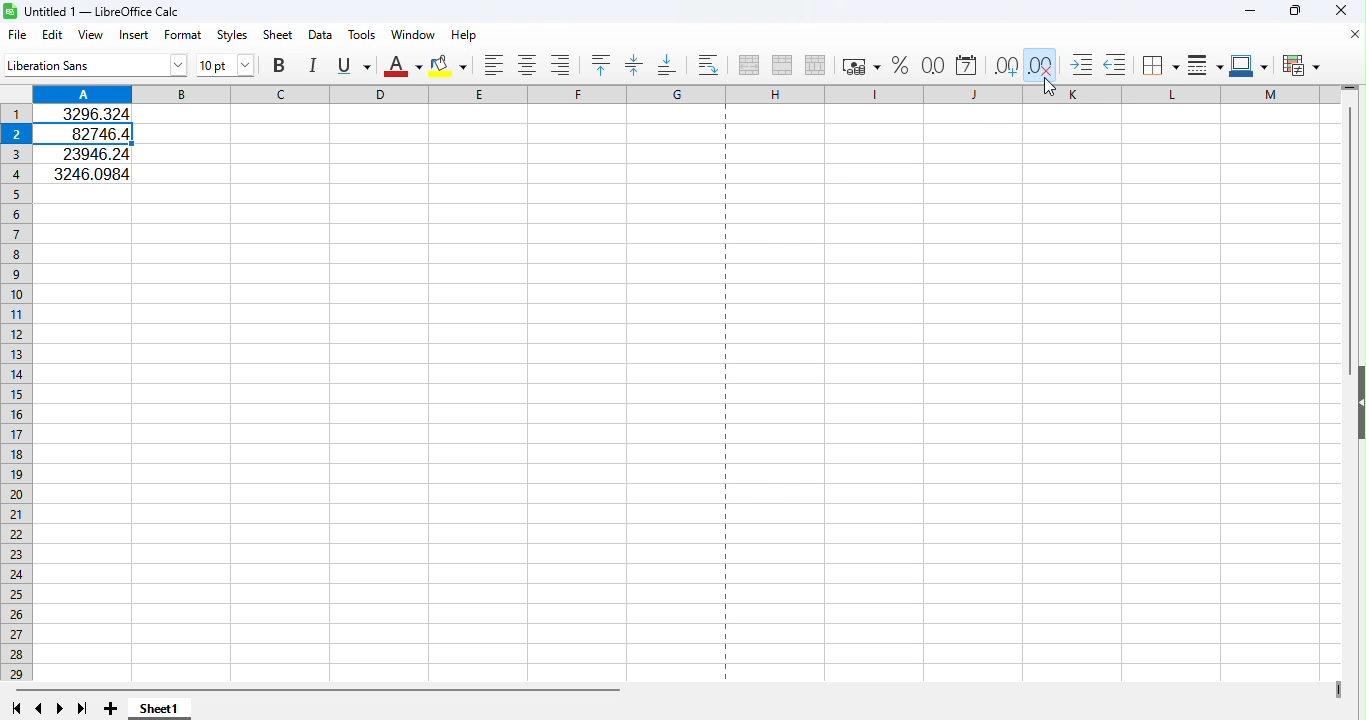  What do you see at coordinates (692, 434) in the screenshot?
I see `Cells` at bounding box center [692, 434].